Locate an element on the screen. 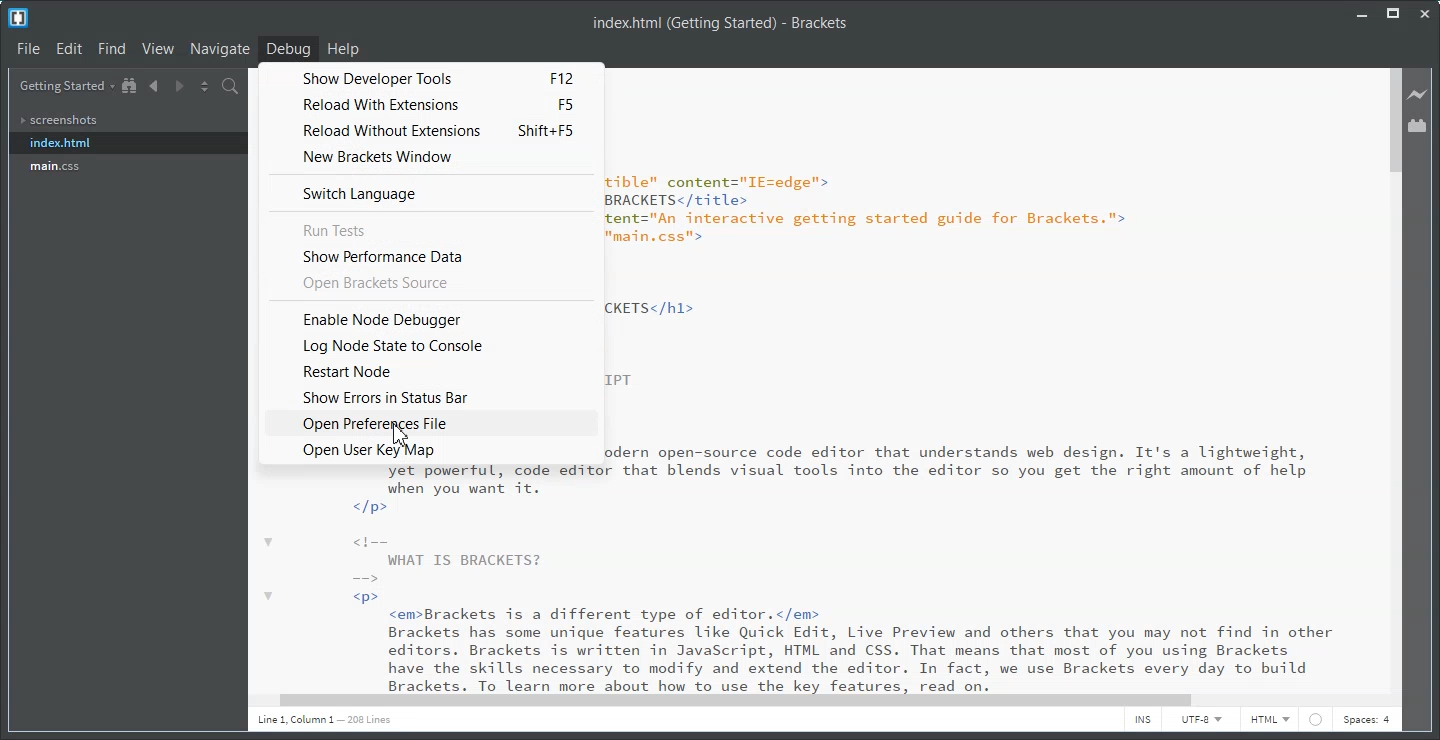 This screenshot has height=740, width=1440. Logo is located at coordinates (18, 18).